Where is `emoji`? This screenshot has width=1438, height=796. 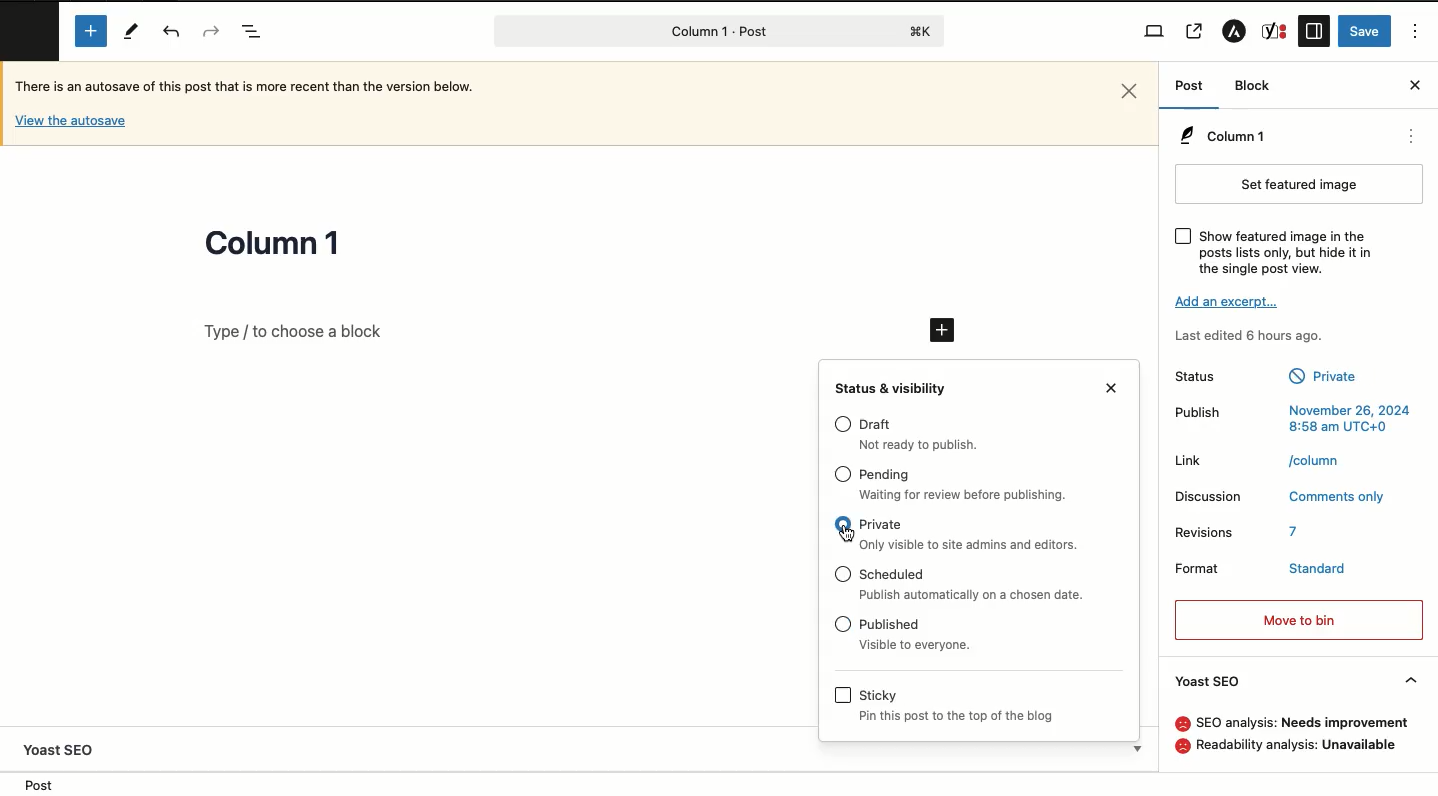
emoji is located at coordinates (1181, 724).